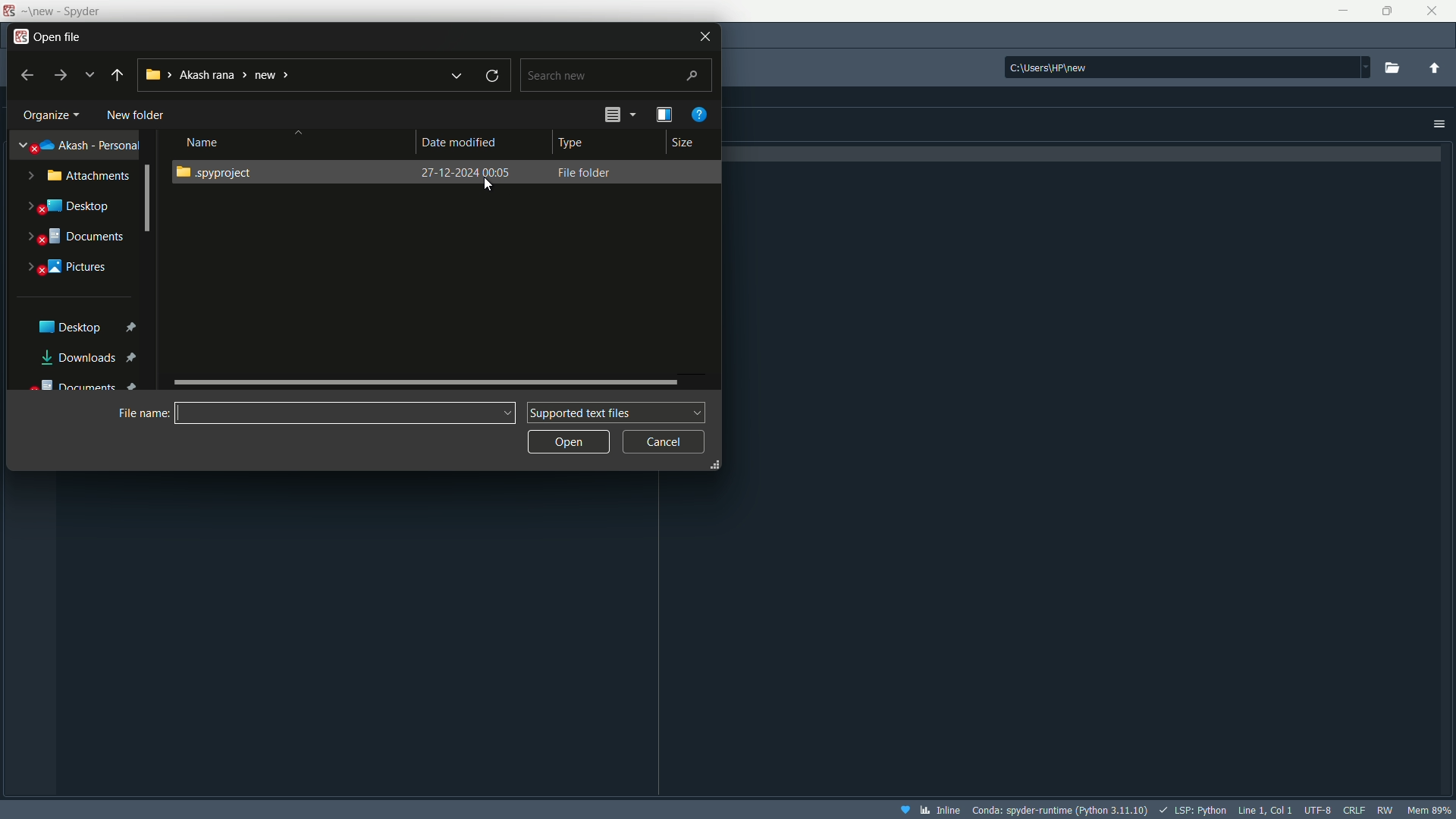 This screenshot has height=819, width=1456. What do you see at coordinates (1266, 810) in the screenshot?
I see `cursor position` at bounding box center [1266, 810].